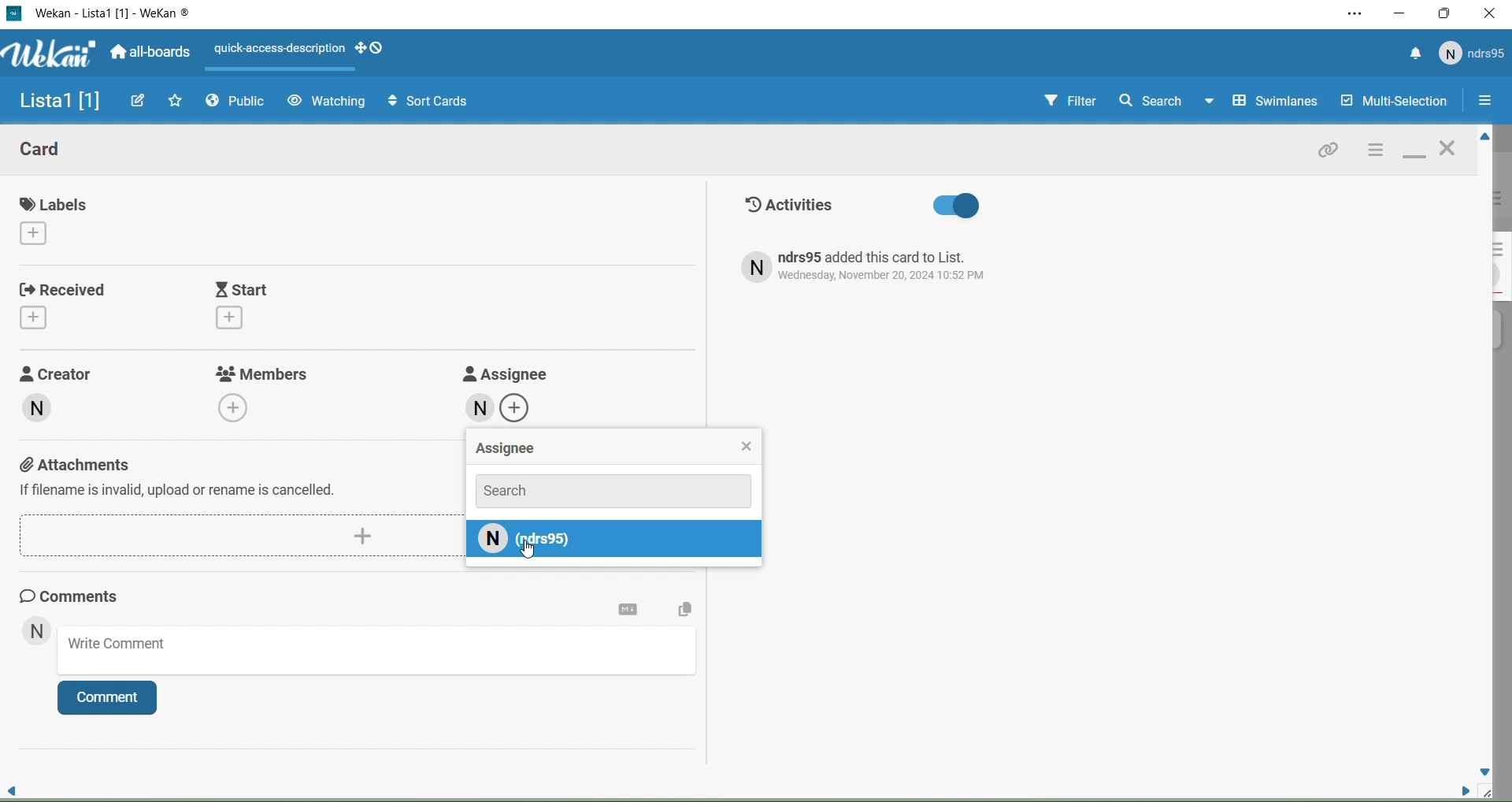 Image resolution: width=1512 pixels, height=802 pixels. What do you see at coordinates (1446, 13) in the screenshot?
I see `Box` at bounding box center [1446, 13].